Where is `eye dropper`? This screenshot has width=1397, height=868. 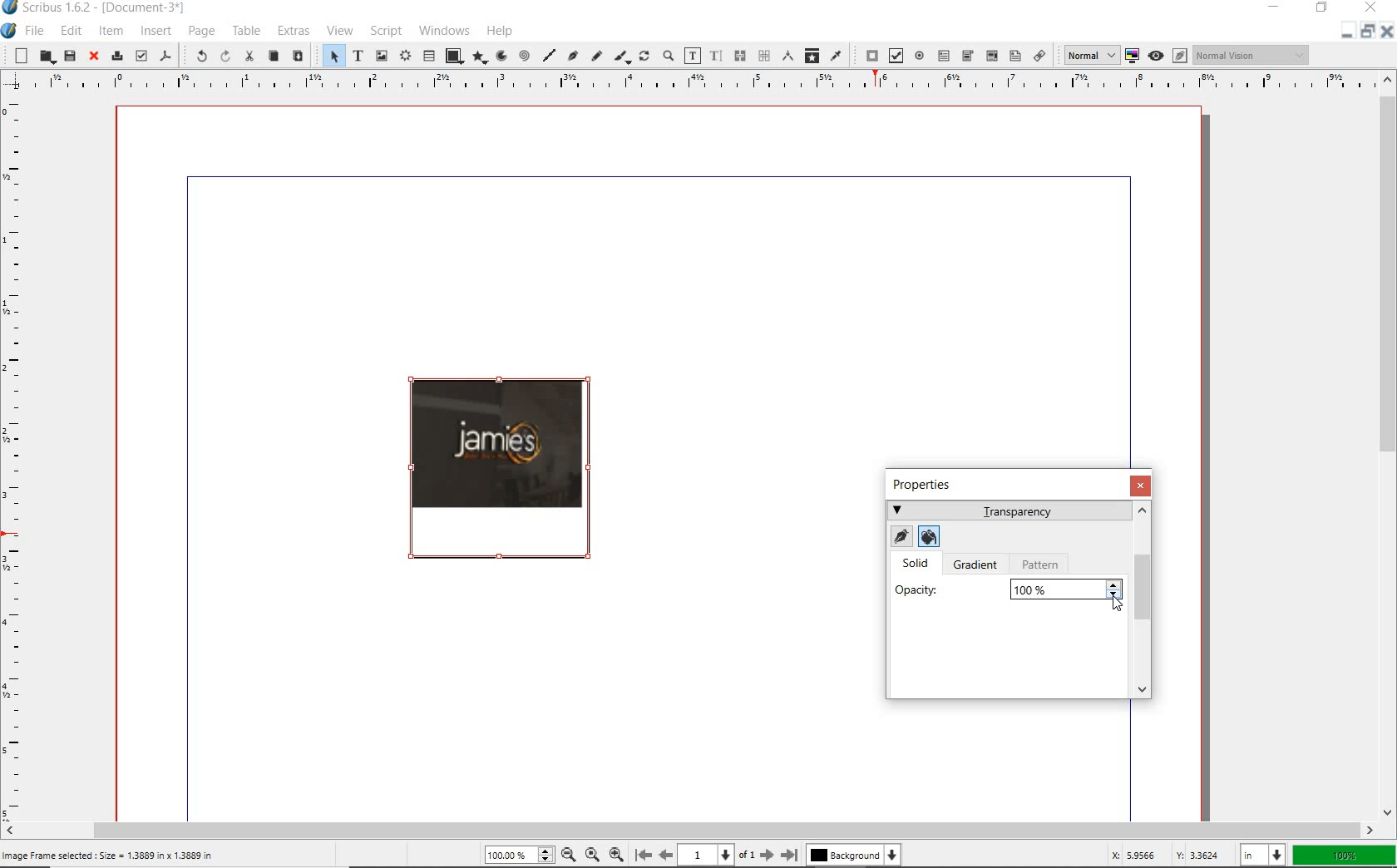 eye dropper is located at coordinates (837, 56).